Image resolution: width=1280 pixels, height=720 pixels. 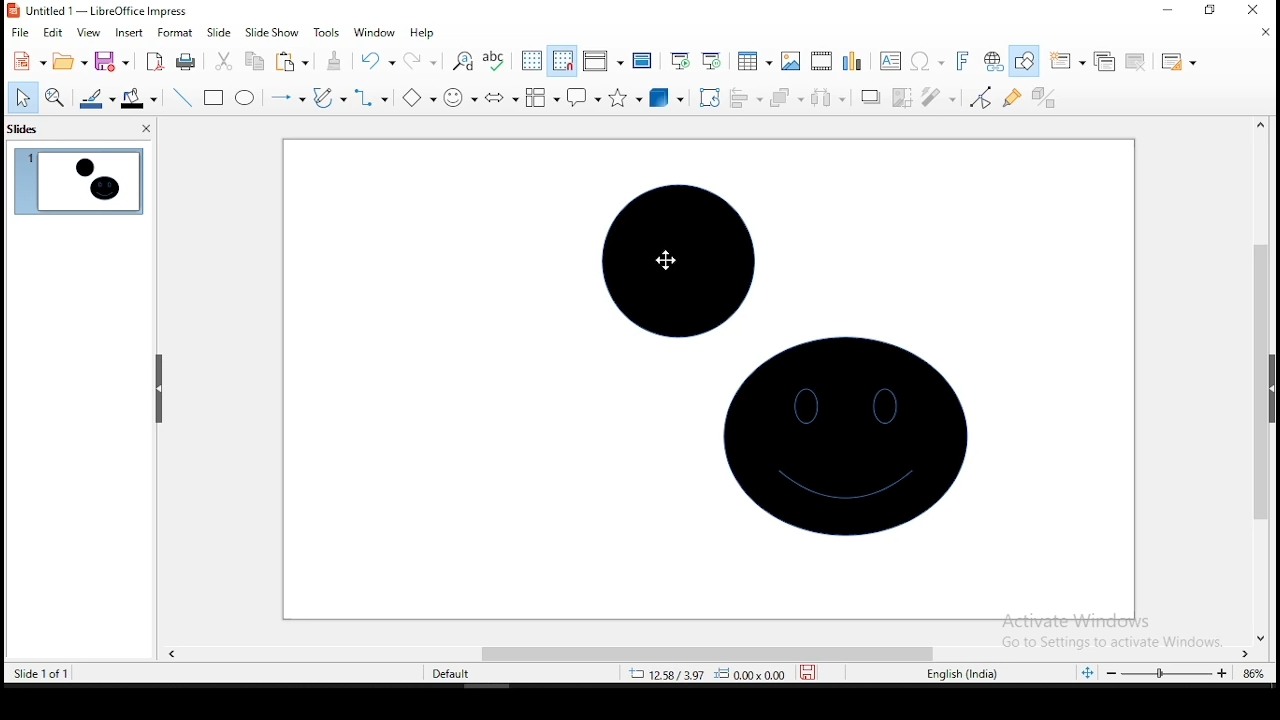 What do you see at coordinates (641, 61) in the screenshot?
I see `master slide` at bounding box center [641, 61].